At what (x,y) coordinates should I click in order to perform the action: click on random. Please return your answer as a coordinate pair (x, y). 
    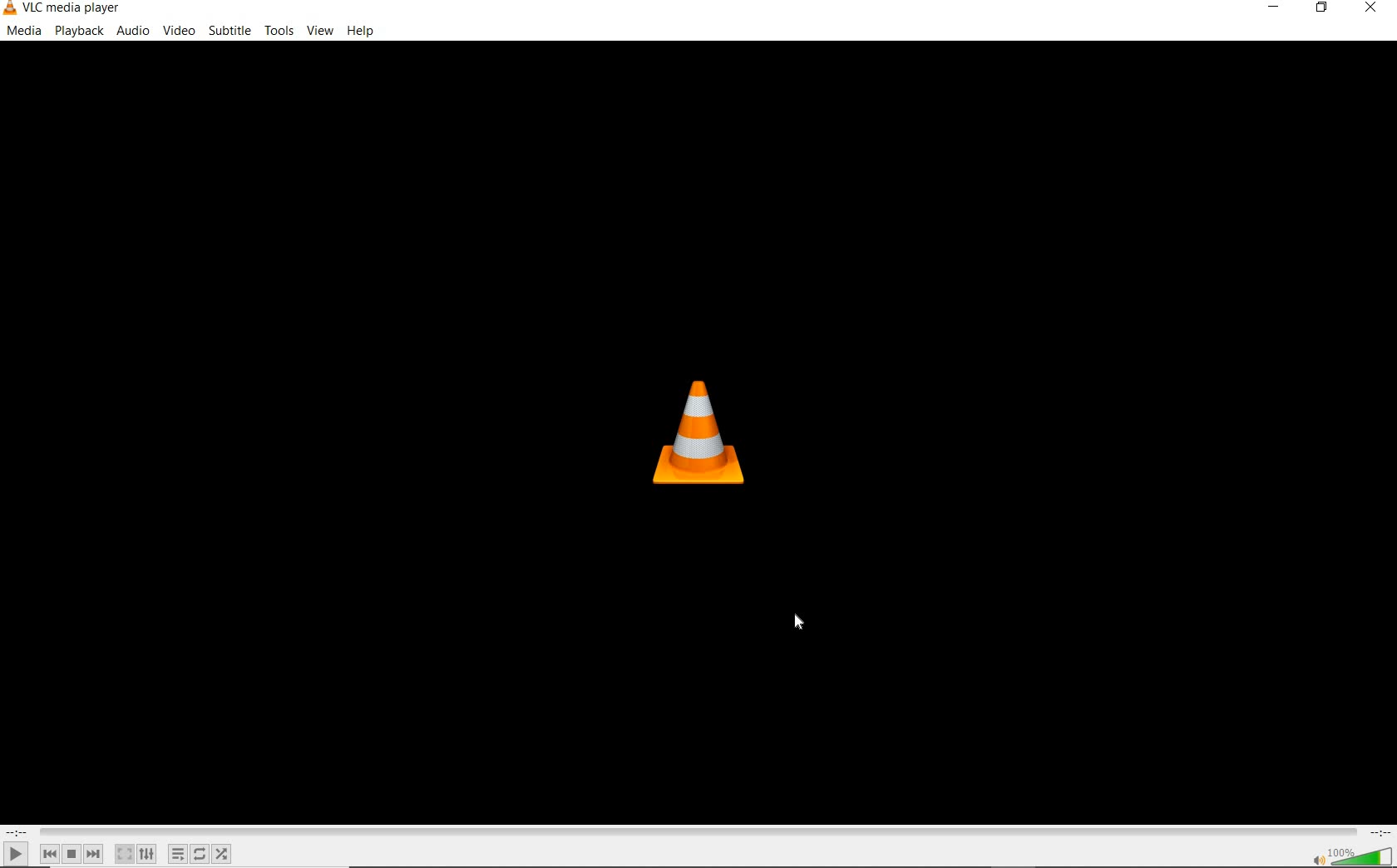
    Looking at the image, I should click on (221, 854).